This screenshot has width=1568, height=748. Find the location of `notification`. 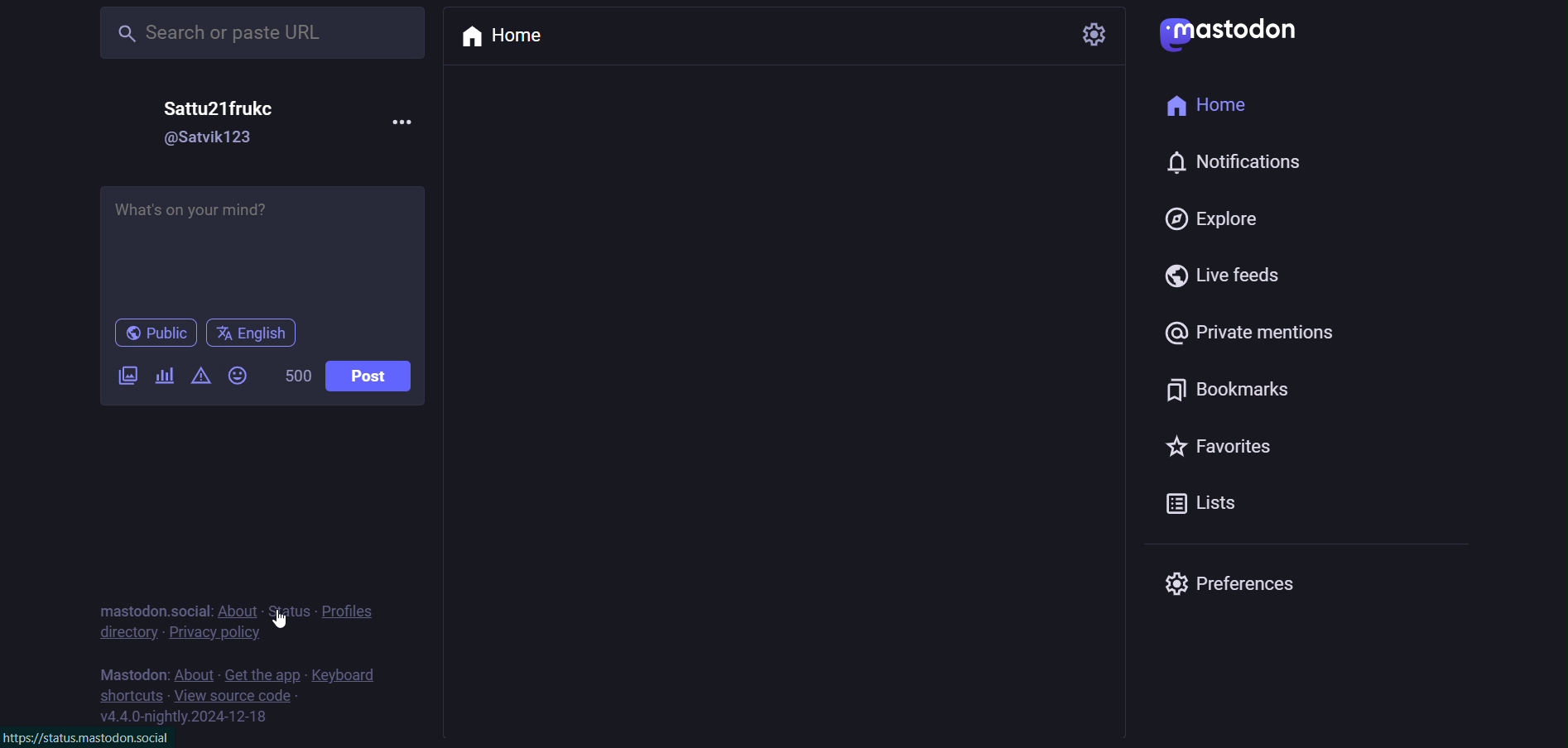

notification is located at coordinates (1232, 160).